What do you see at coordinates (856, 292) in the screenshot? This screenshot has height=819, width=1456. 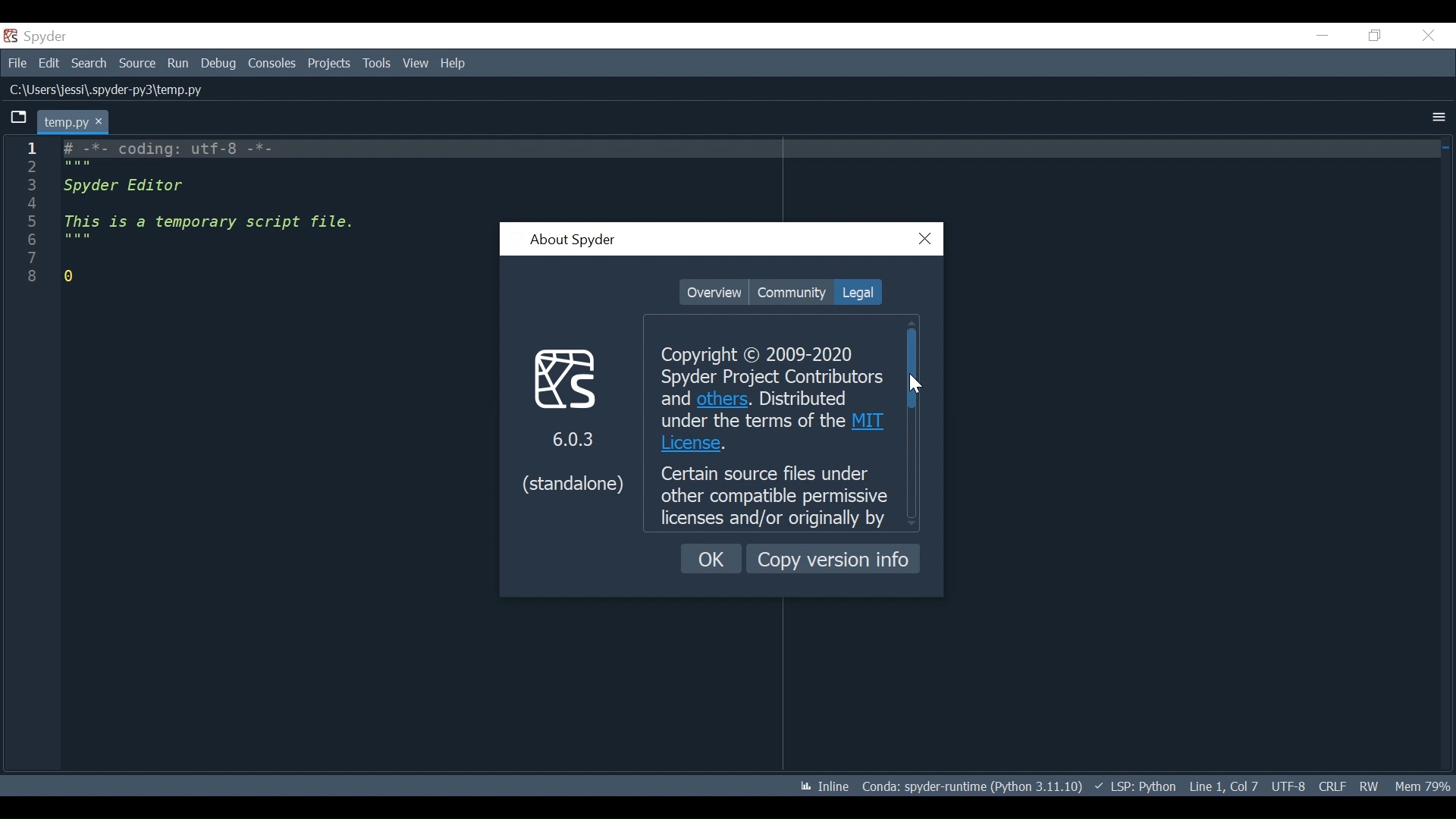 I see `Legal` at bounding box center [856, 292].